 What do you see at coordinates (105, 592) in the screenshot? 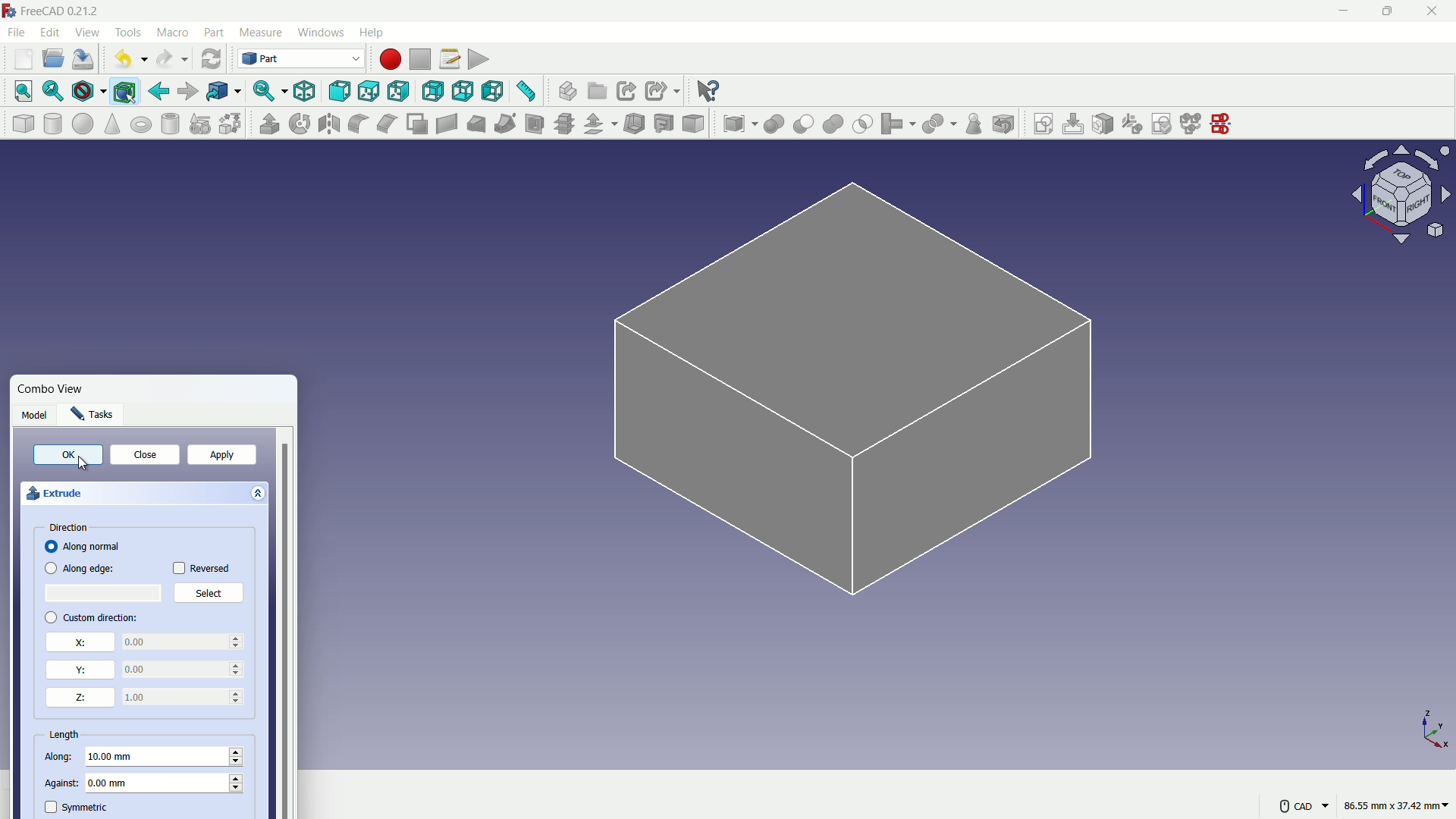
I see `select place` at bounding box center [105, 592].